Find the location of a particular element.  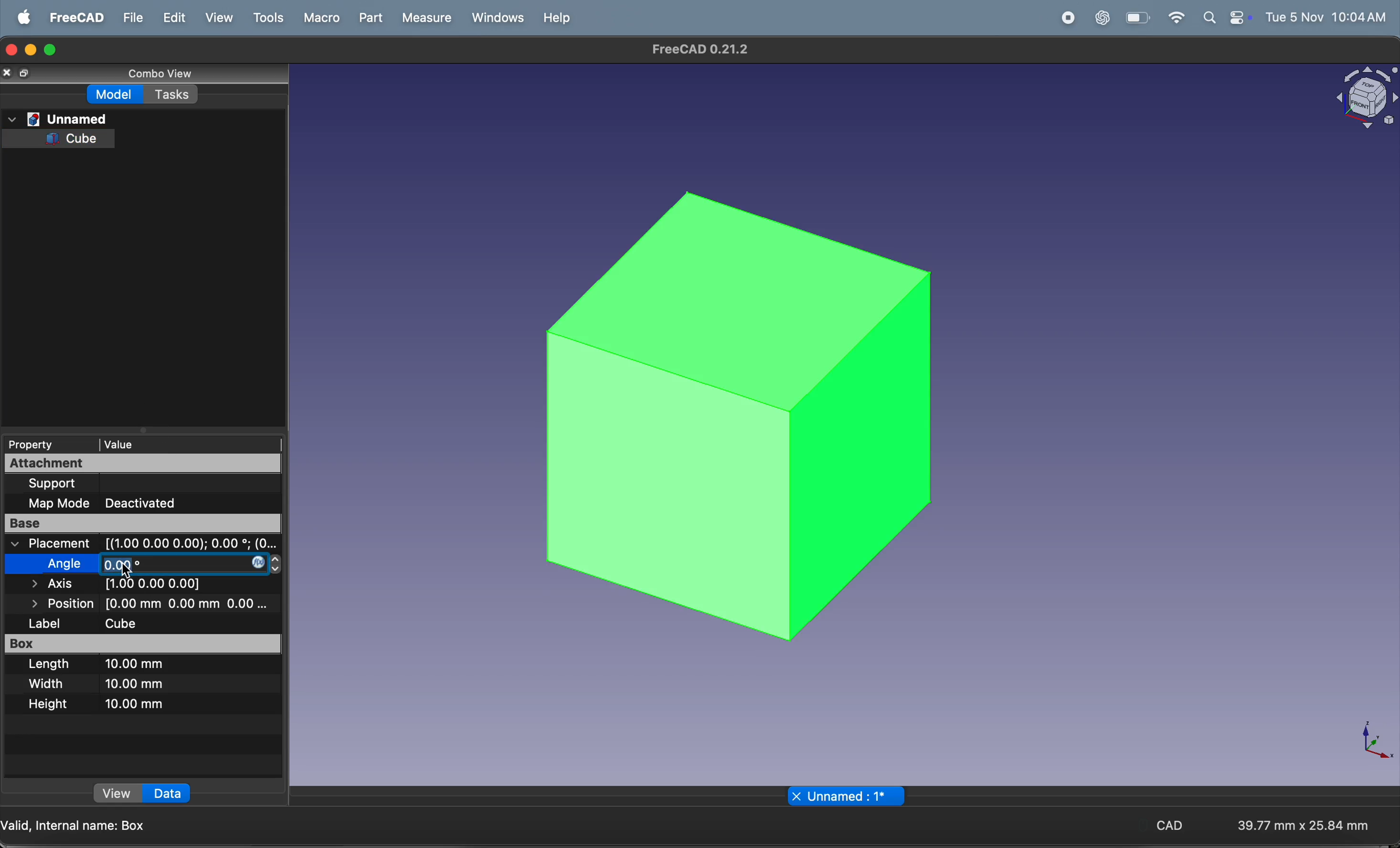

Conbe view is located at coordinates (145, 73).